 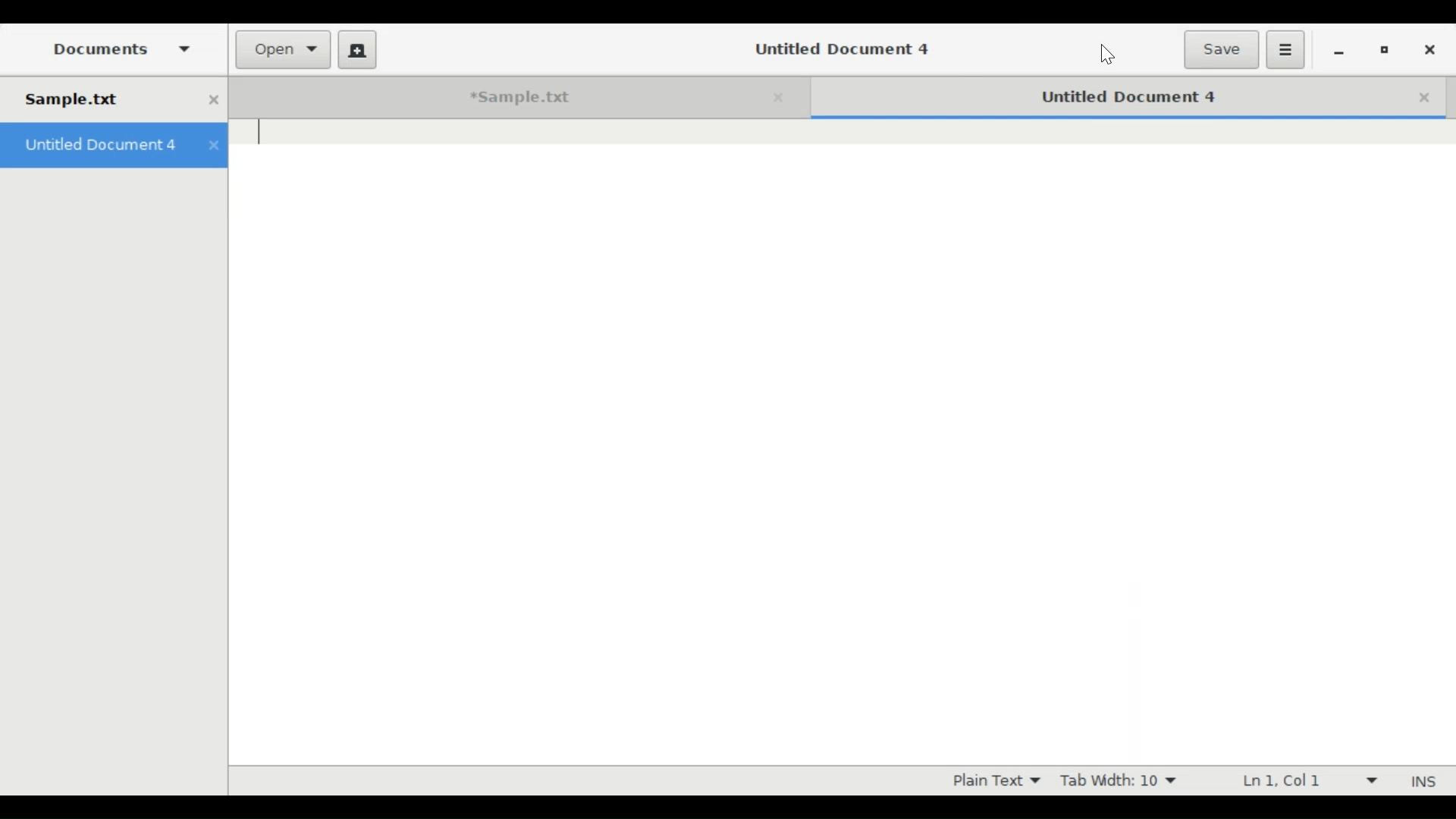 What do you see at coordinates (782, 96) in the screenshot?
I see `close` at bounding box center [782, 96].